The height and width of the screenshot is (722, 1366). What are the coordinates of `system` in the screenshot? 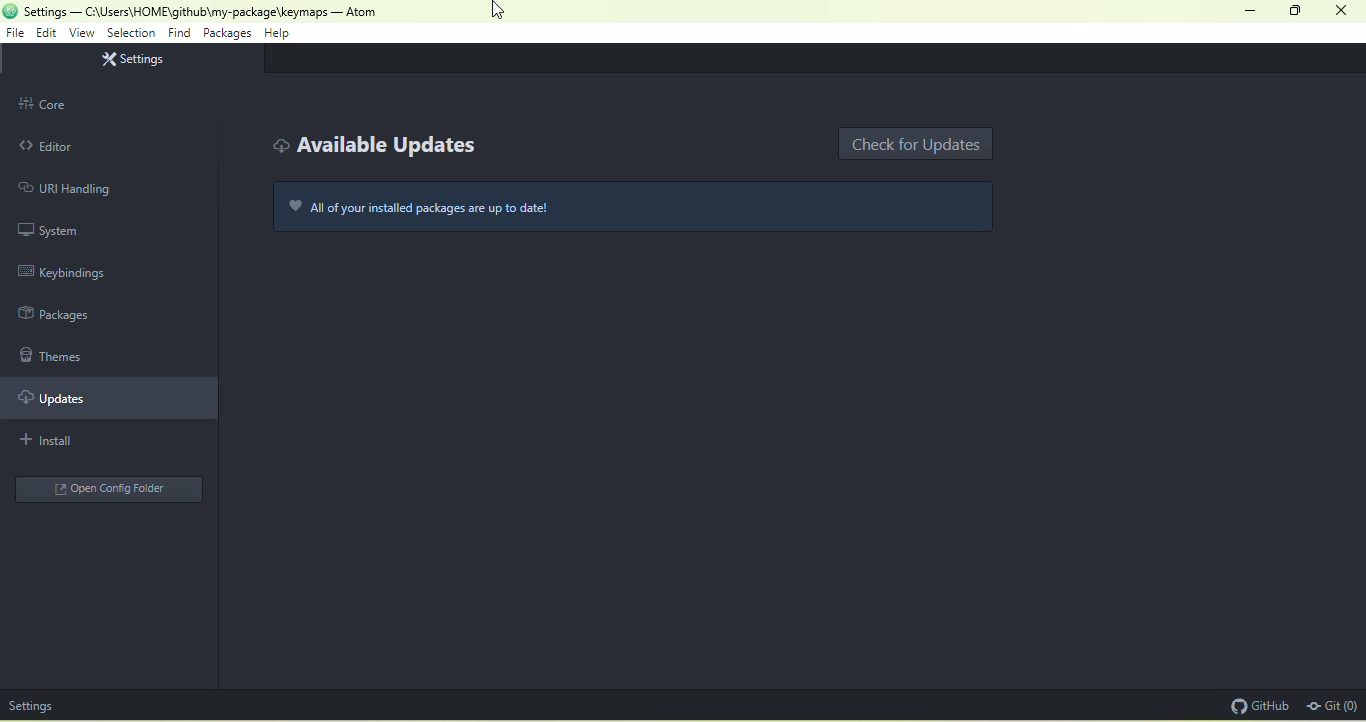 It's located at (54, 231).